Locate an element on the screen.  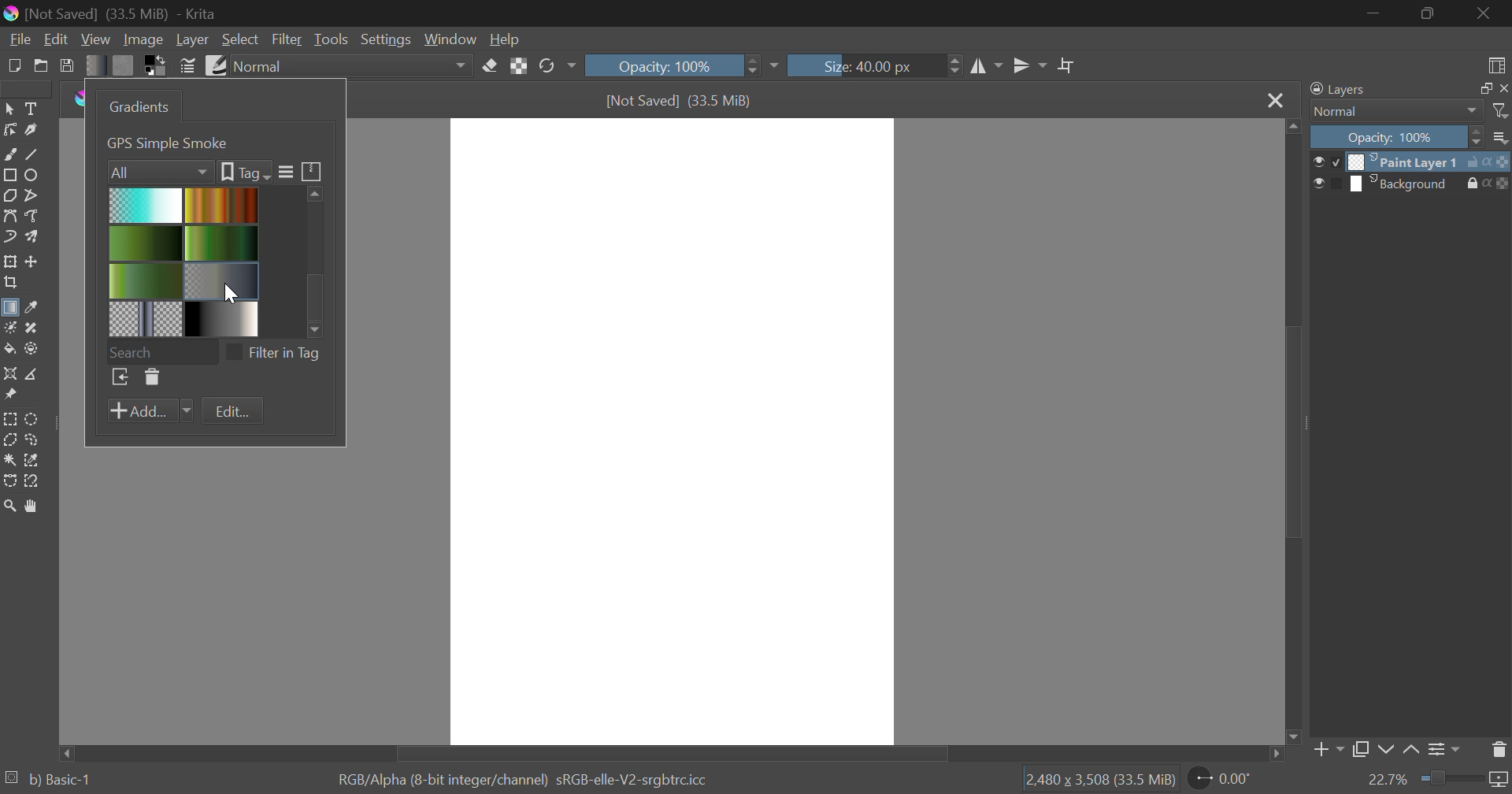
Freehand is located at coordinates (9, 153).